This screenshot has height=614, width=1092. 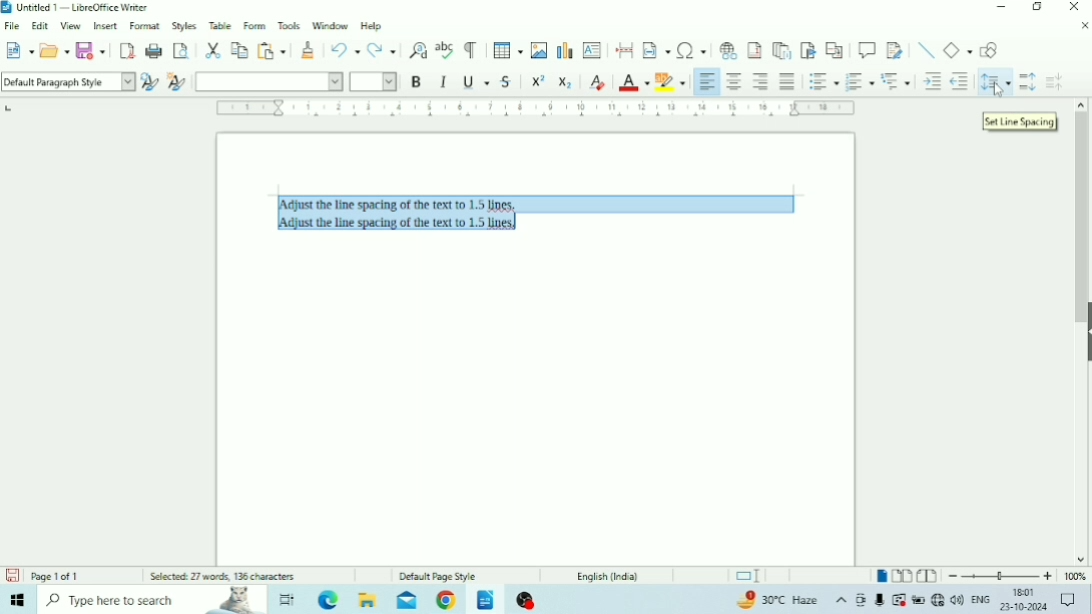 What do you see at coordinates (989, 48) in the screenshot?
I see `Show Draw Functions` at bounding box center [989, 48].